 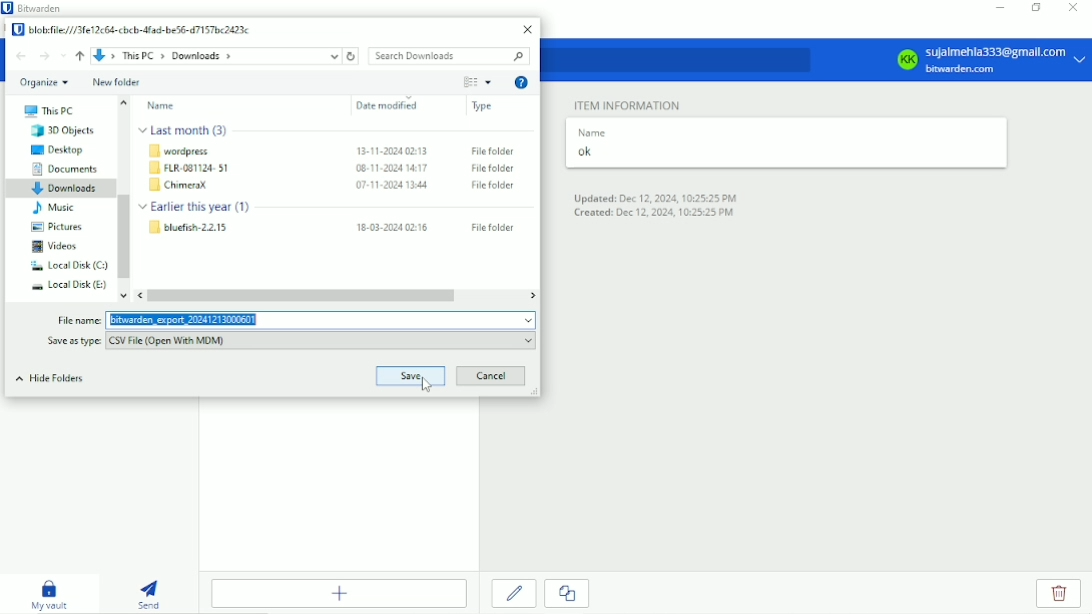 I want to click on Horizontal scrollbar, so click(x=304, y=295).